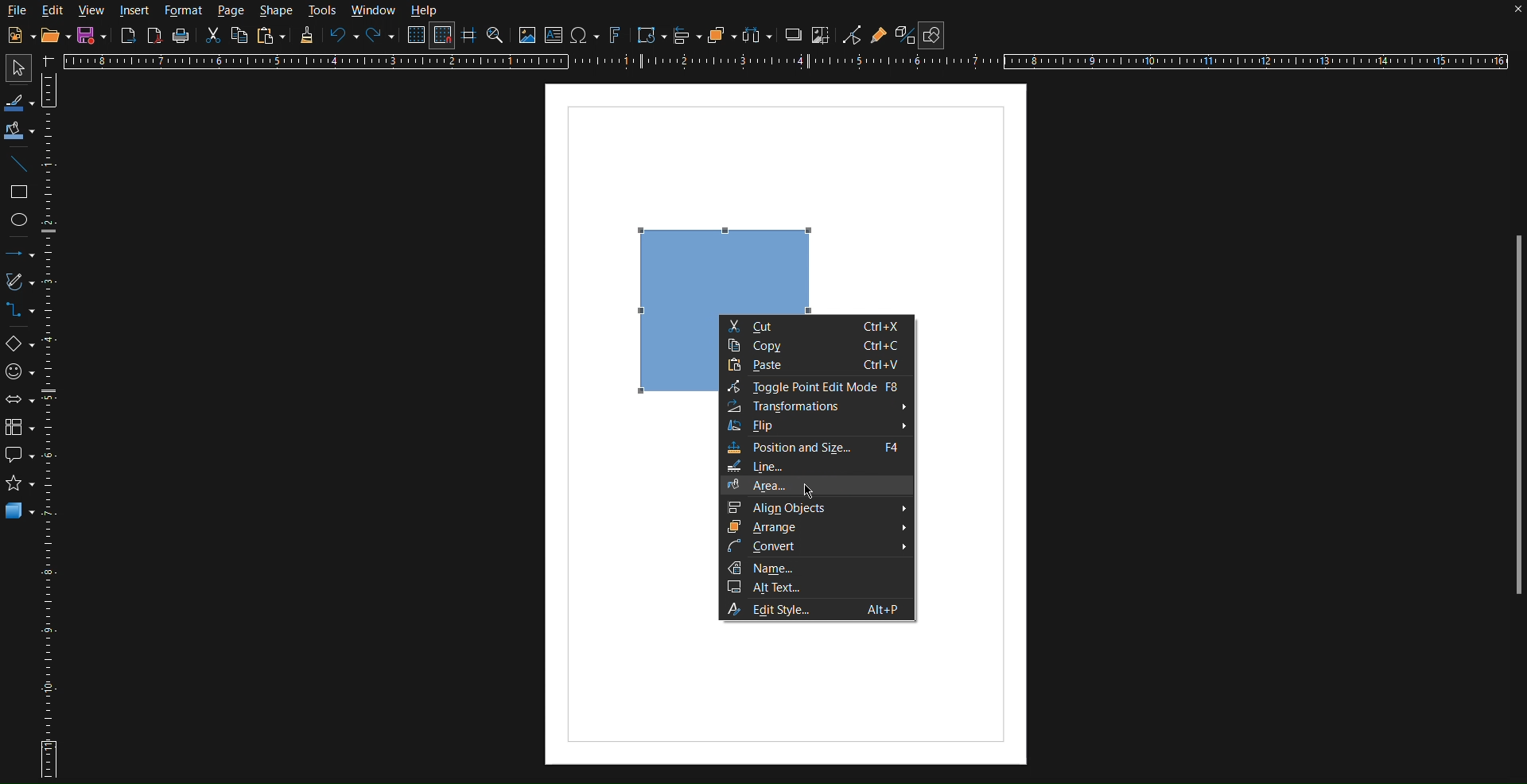 Image resolution: width=1527 pixels, height=784 pixels. Describe the element at coordinates (818, 327) in the screenshot. I see `Cut` at that location.